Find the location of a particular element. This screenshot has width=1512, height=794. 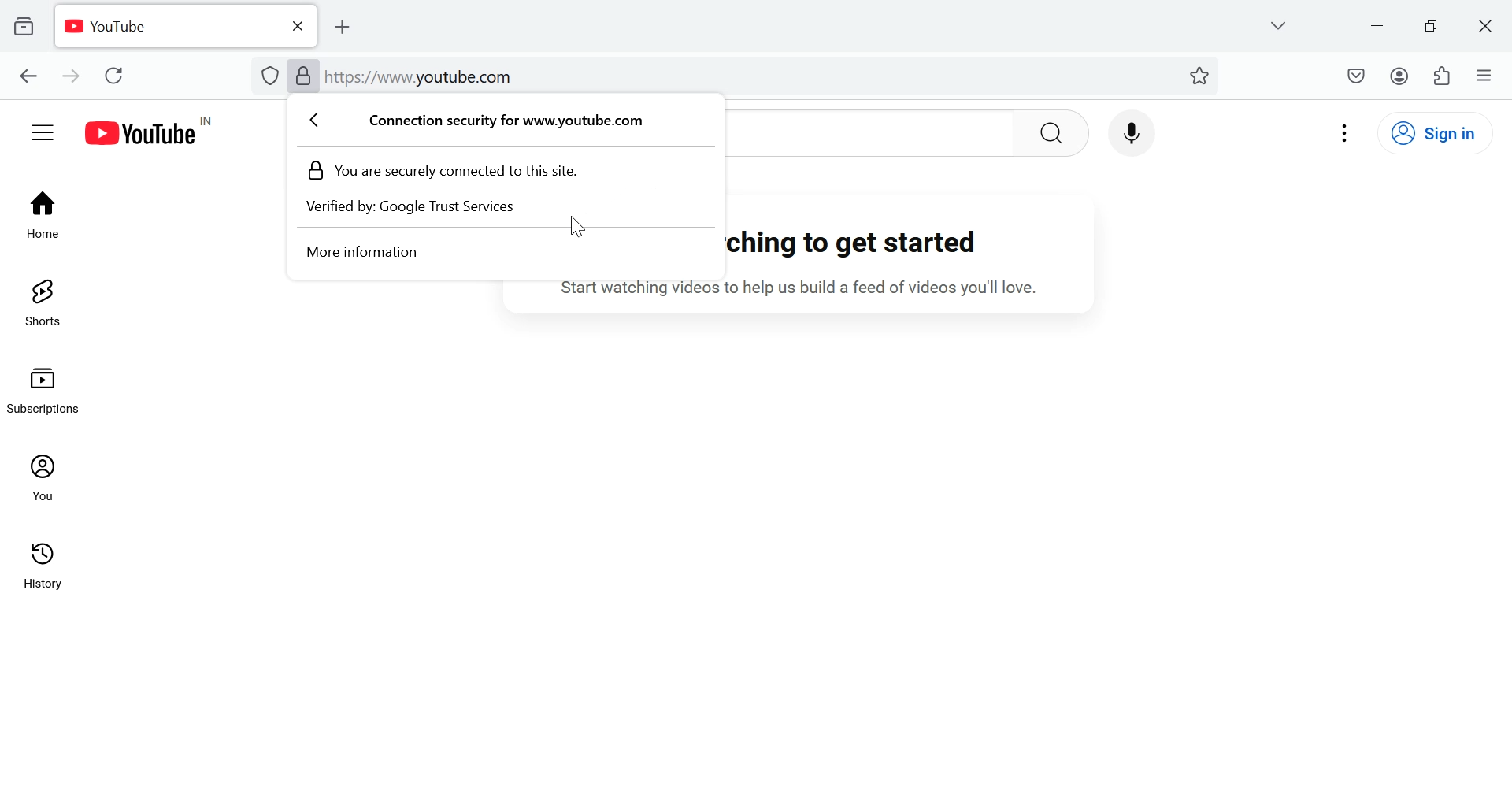

Search with your voice is located at coordinates (1129, 130).